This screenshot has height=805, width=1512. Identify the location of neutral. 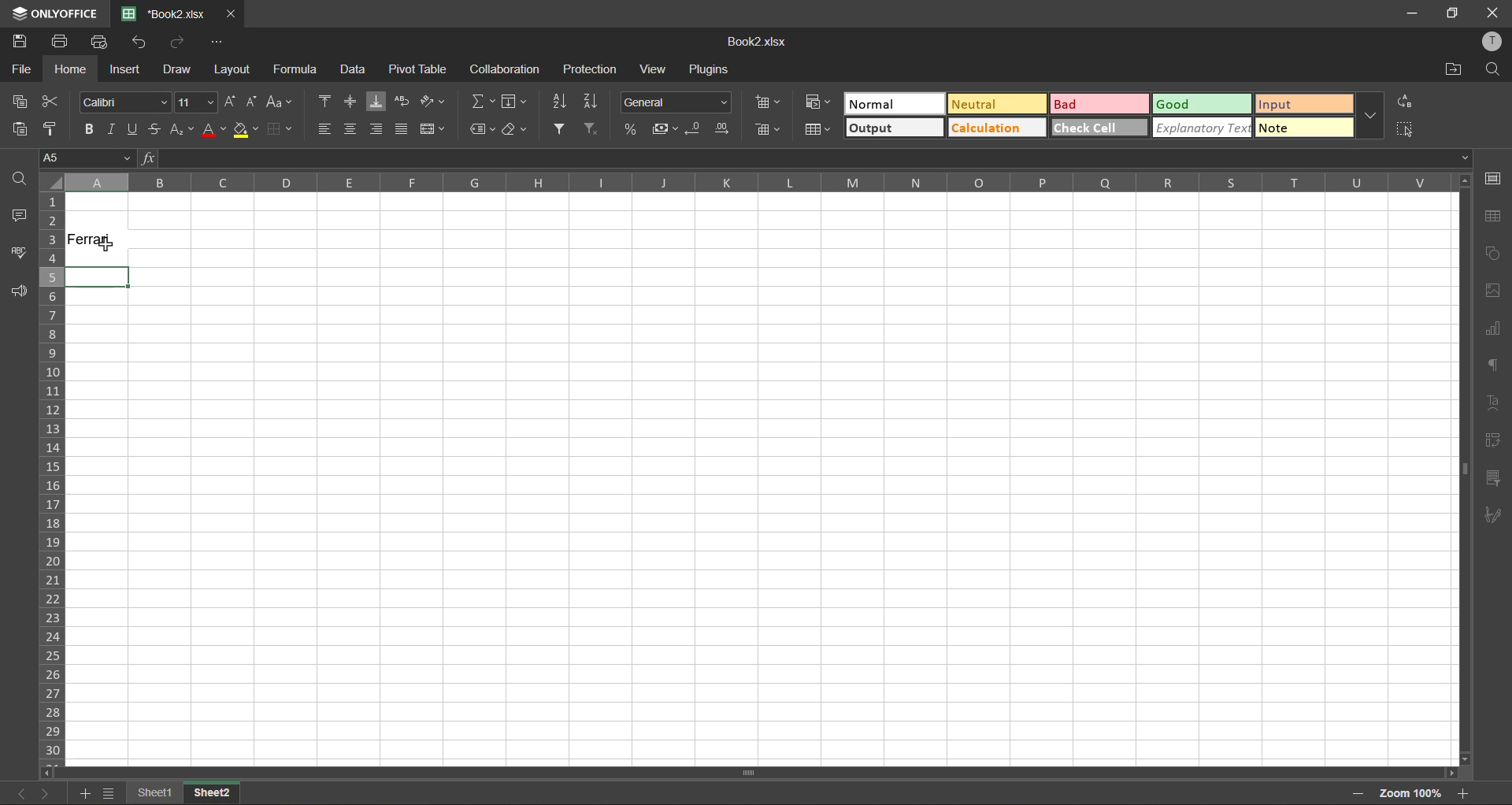
(991, 102).